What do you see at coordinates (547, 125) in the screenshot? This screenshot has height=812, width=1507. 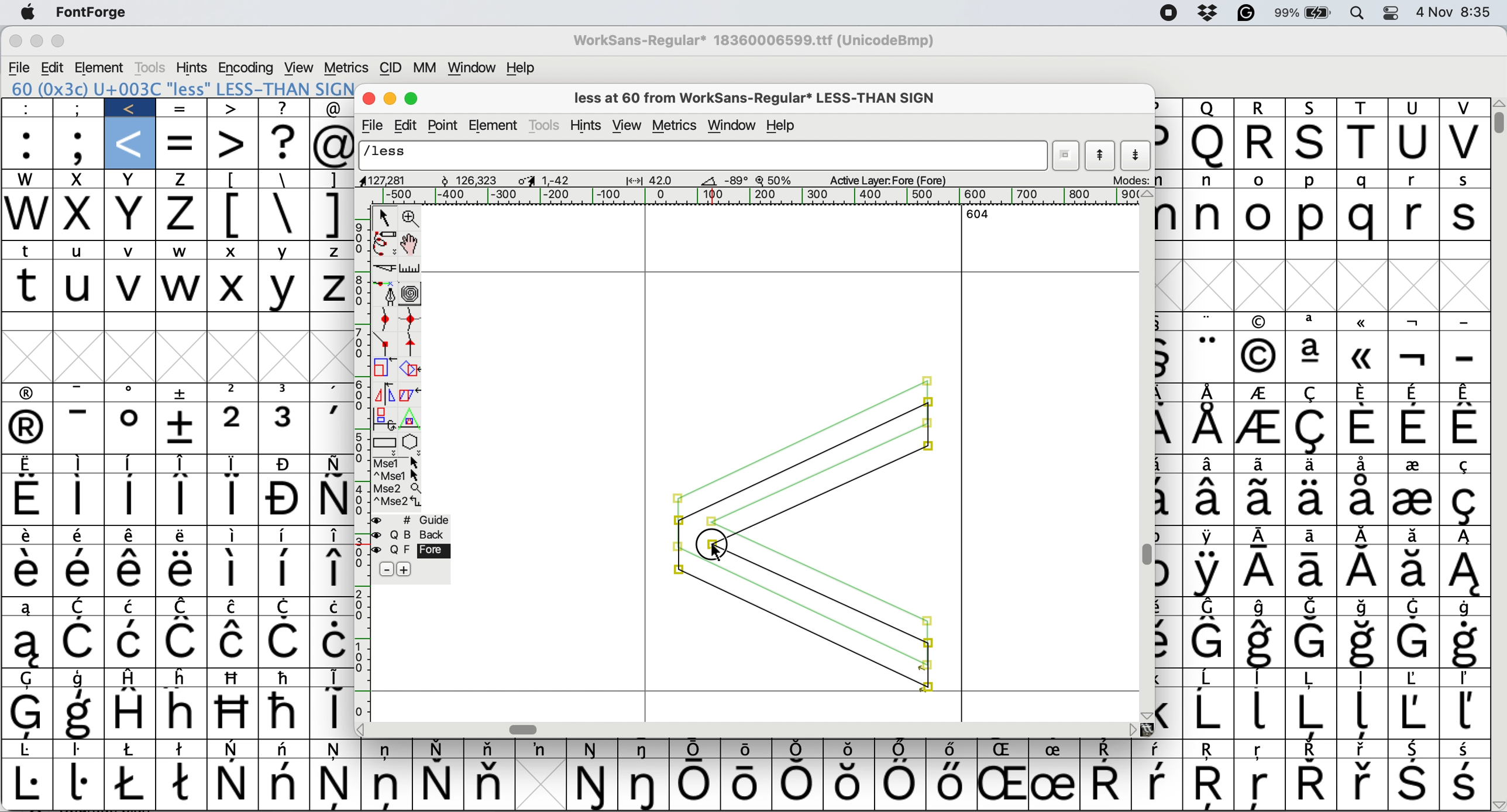 I see `tools` at bounding box center [547, 125].